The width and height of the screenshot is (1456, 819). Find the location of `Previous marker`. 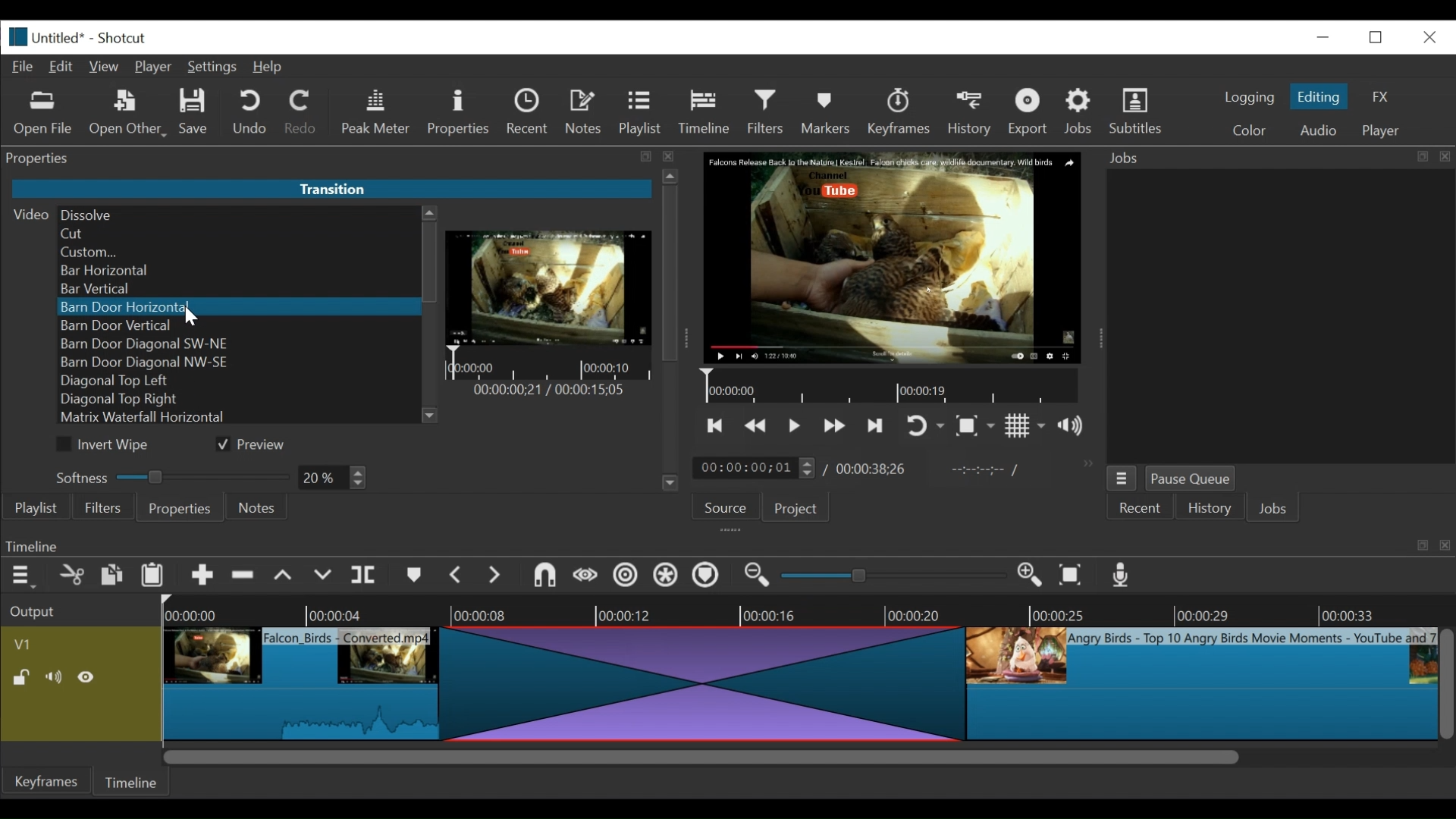

Previous marker is located at coordinates (457, 578).